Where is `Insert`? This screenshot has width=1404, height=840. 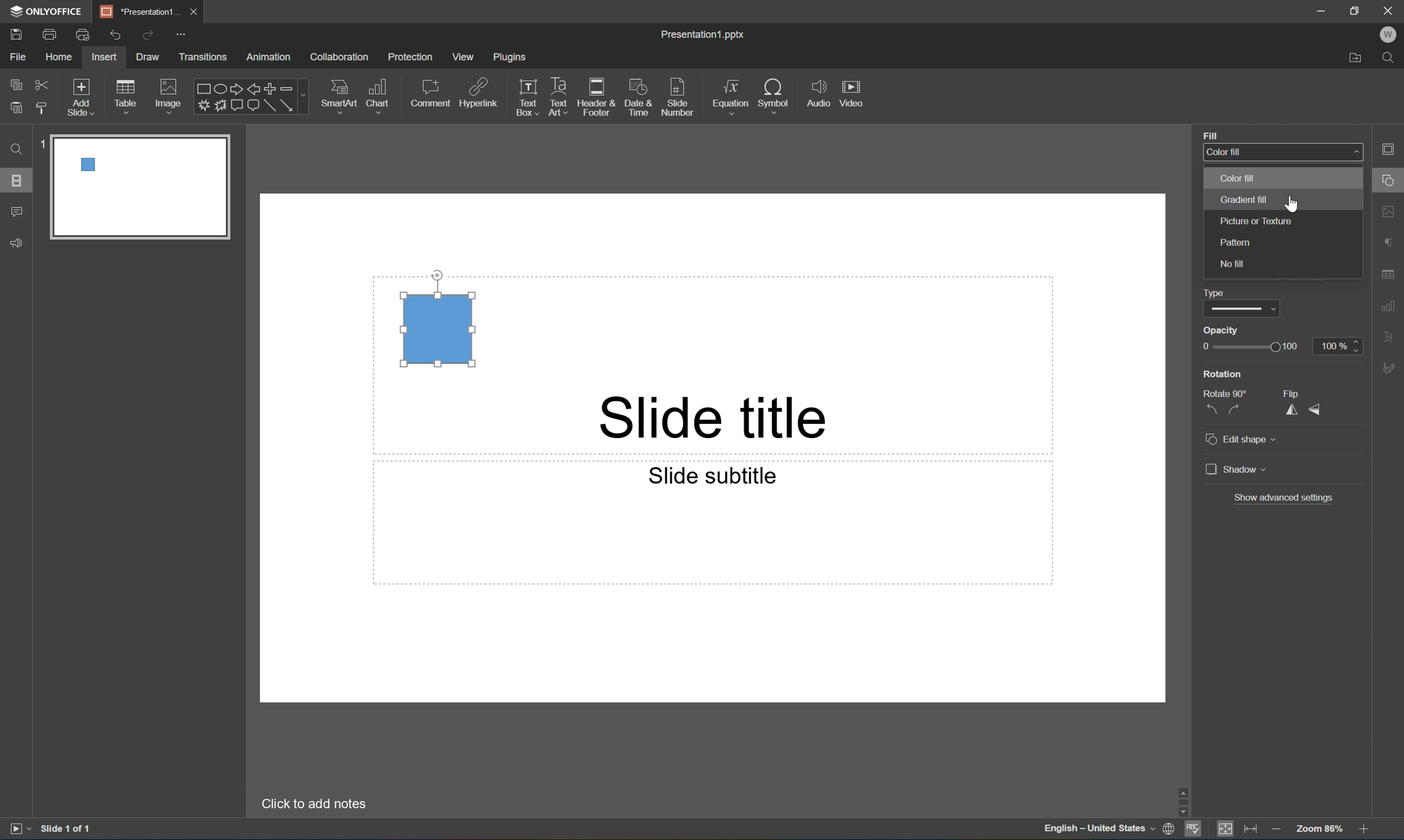
Insert is located at coordinates (104, 57).